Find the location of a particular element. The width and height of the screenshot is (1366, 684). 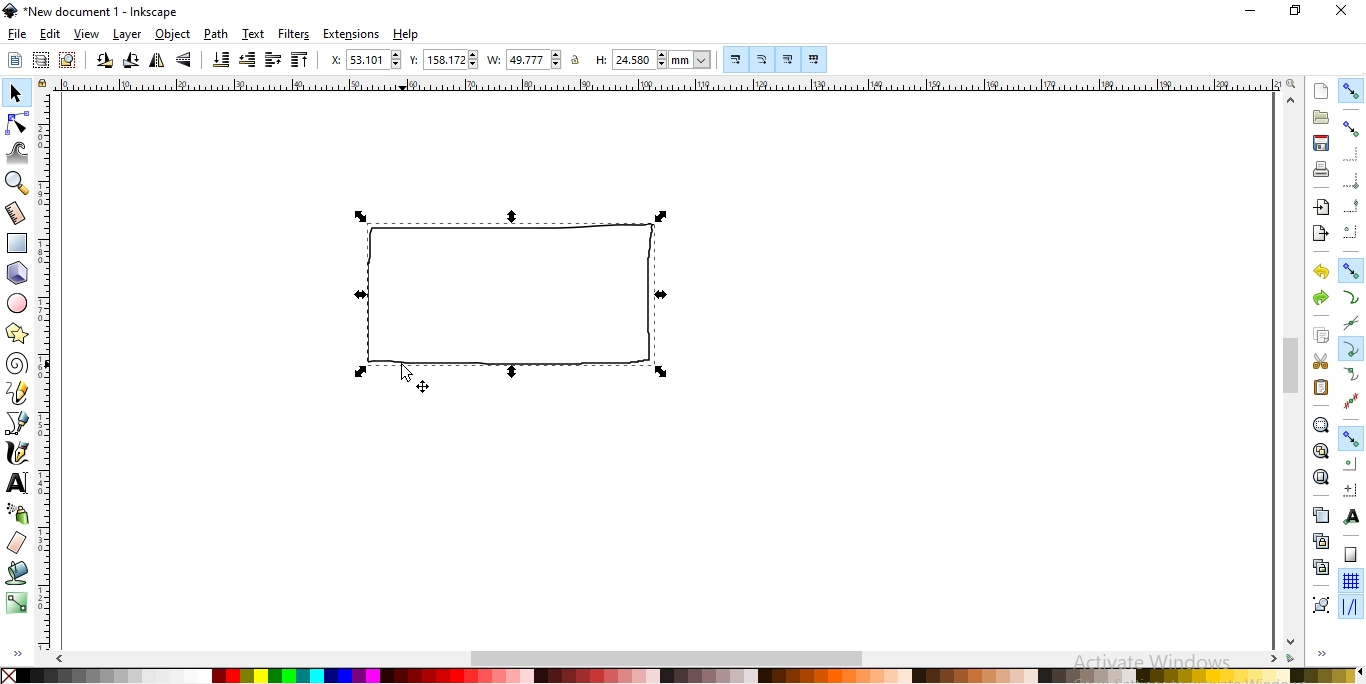

filters is located at coordinates (294, 34).